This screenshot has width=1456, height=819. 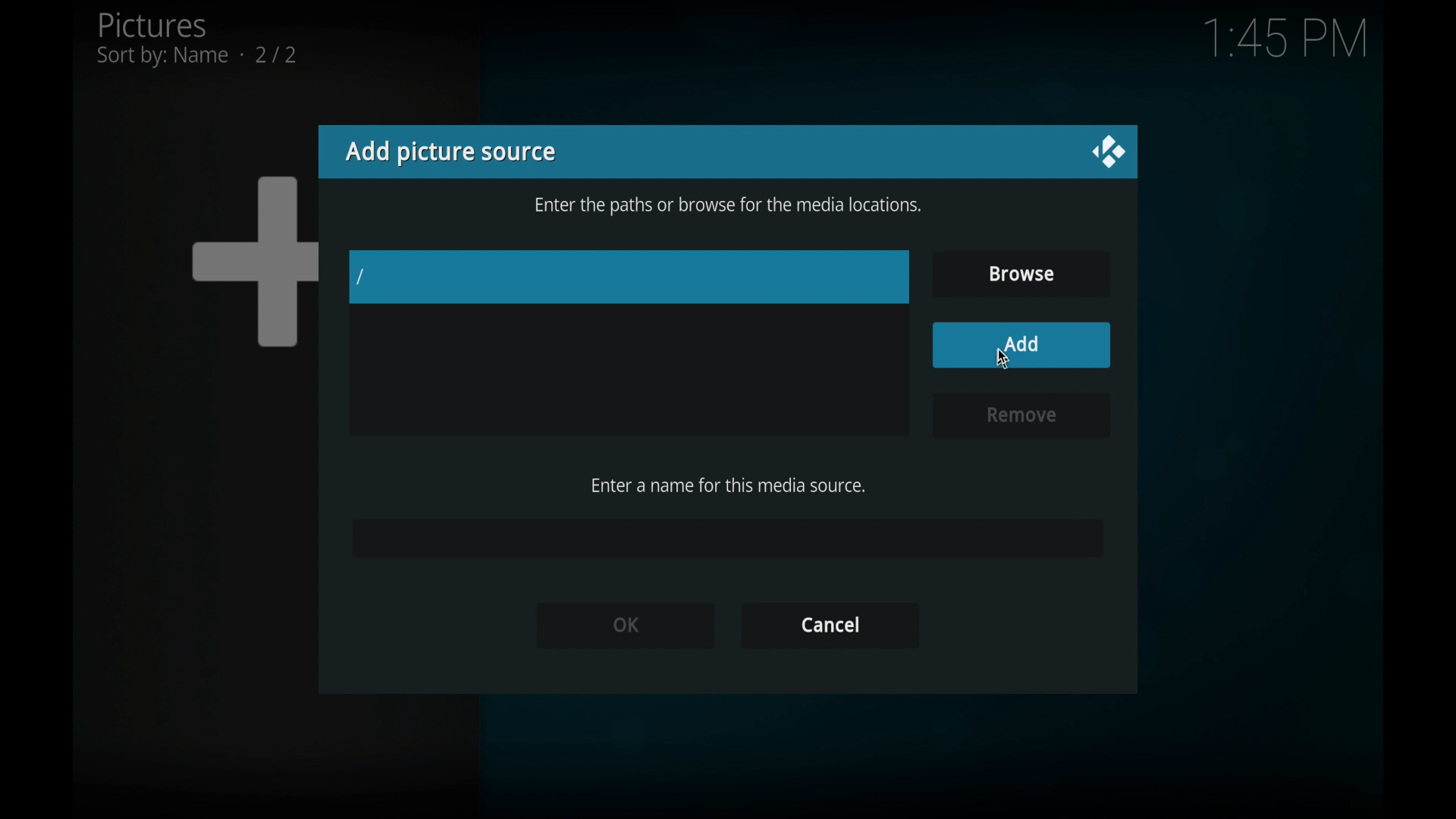 I want to click on browse, so click(x=1021, y=275).